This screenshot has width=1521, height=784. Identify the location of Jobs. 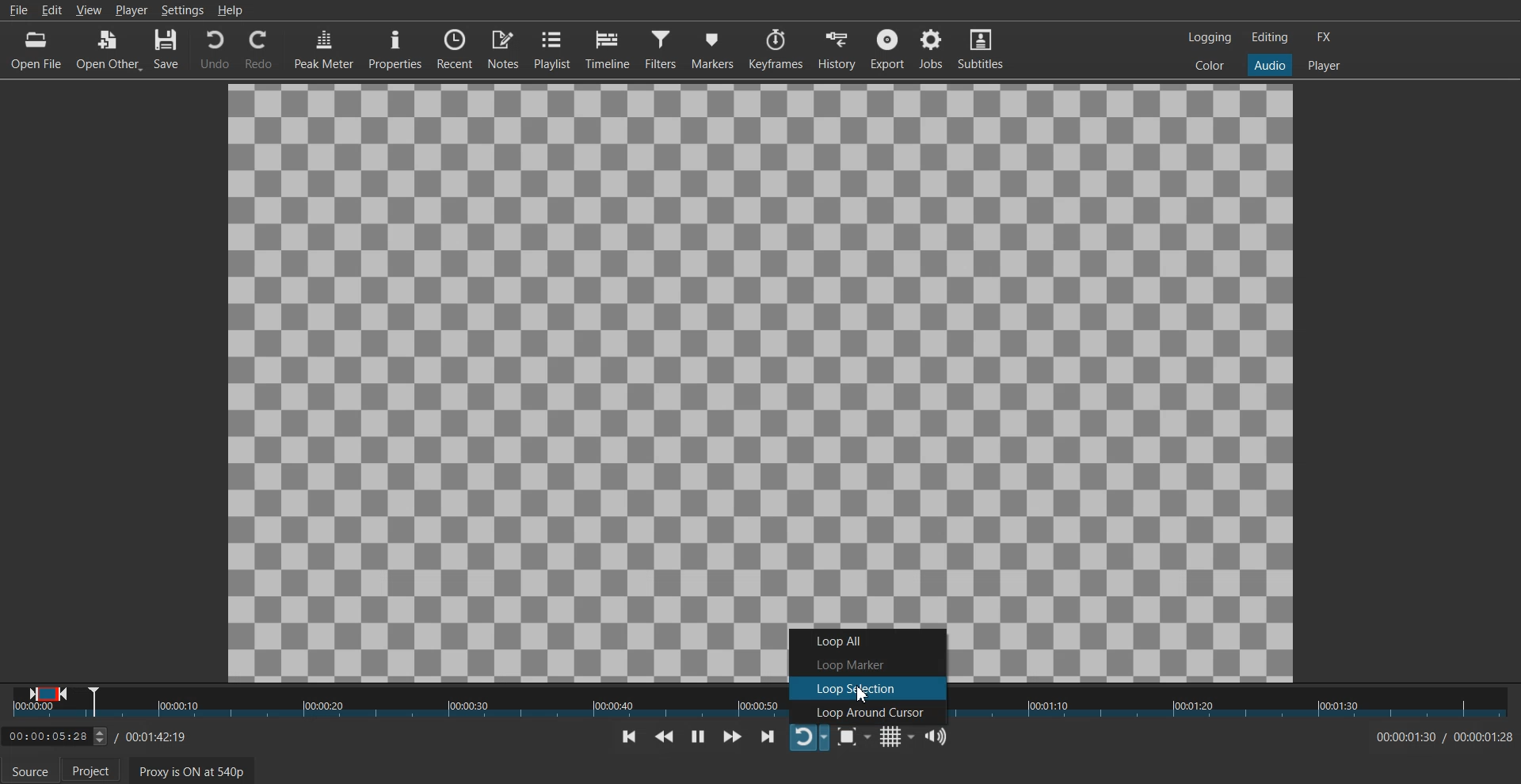
(932, 49).